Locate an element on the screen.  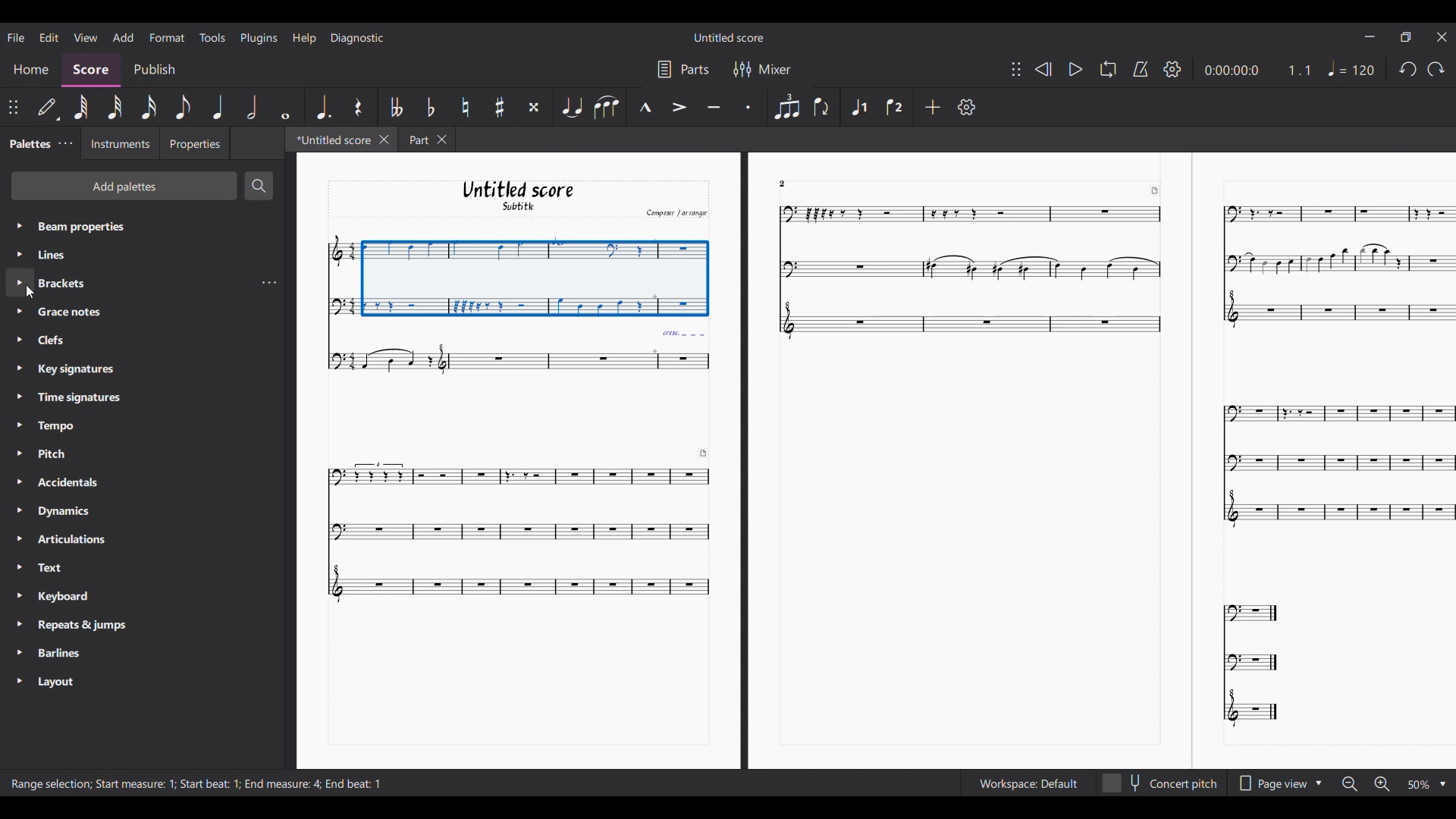
Accidentals is located at coordinates (71, 482).